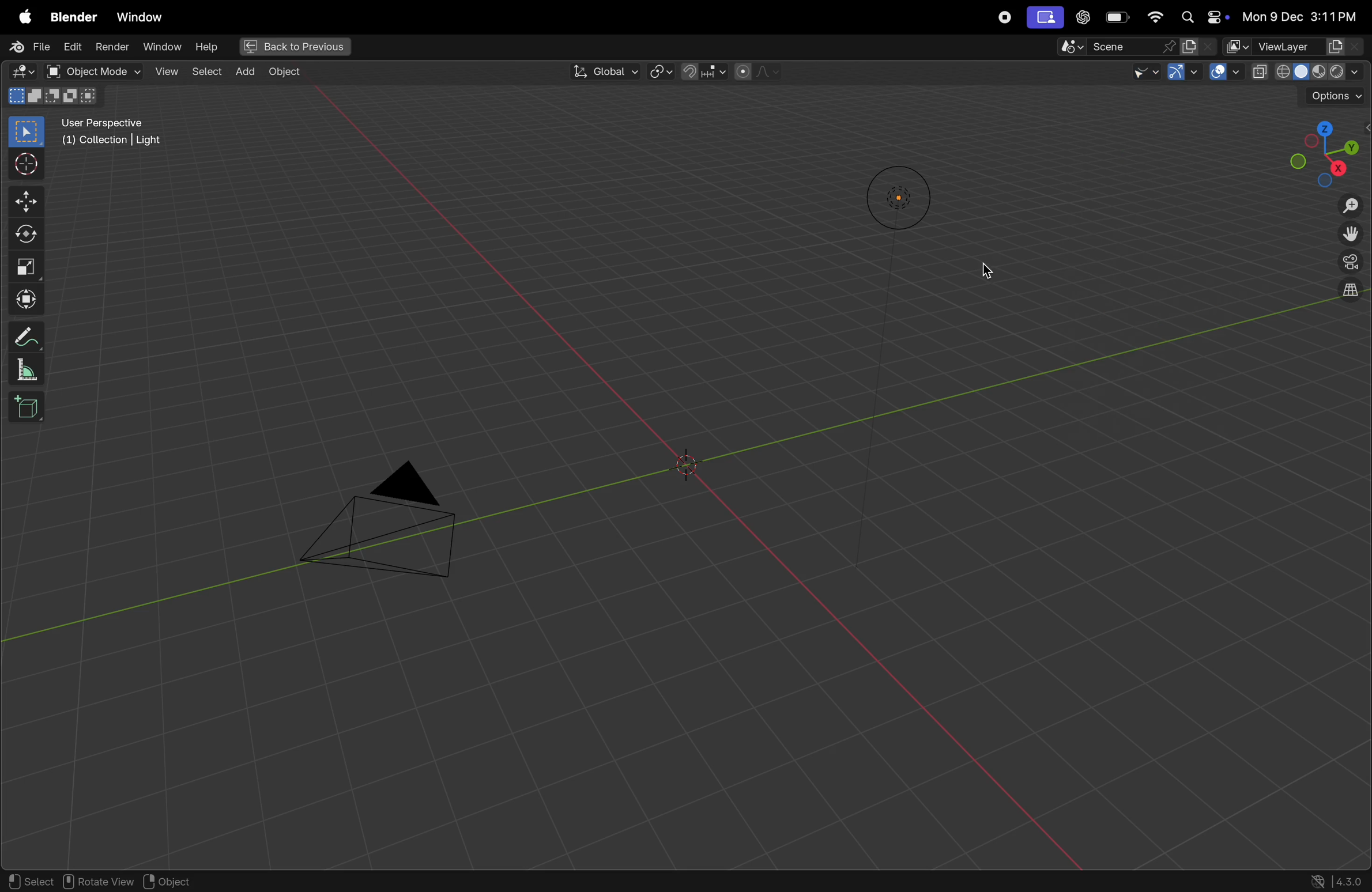  What do you see at coordinates (21, 71) in the screenshot?
I see `edit mode` at bounding box center [21, 71].